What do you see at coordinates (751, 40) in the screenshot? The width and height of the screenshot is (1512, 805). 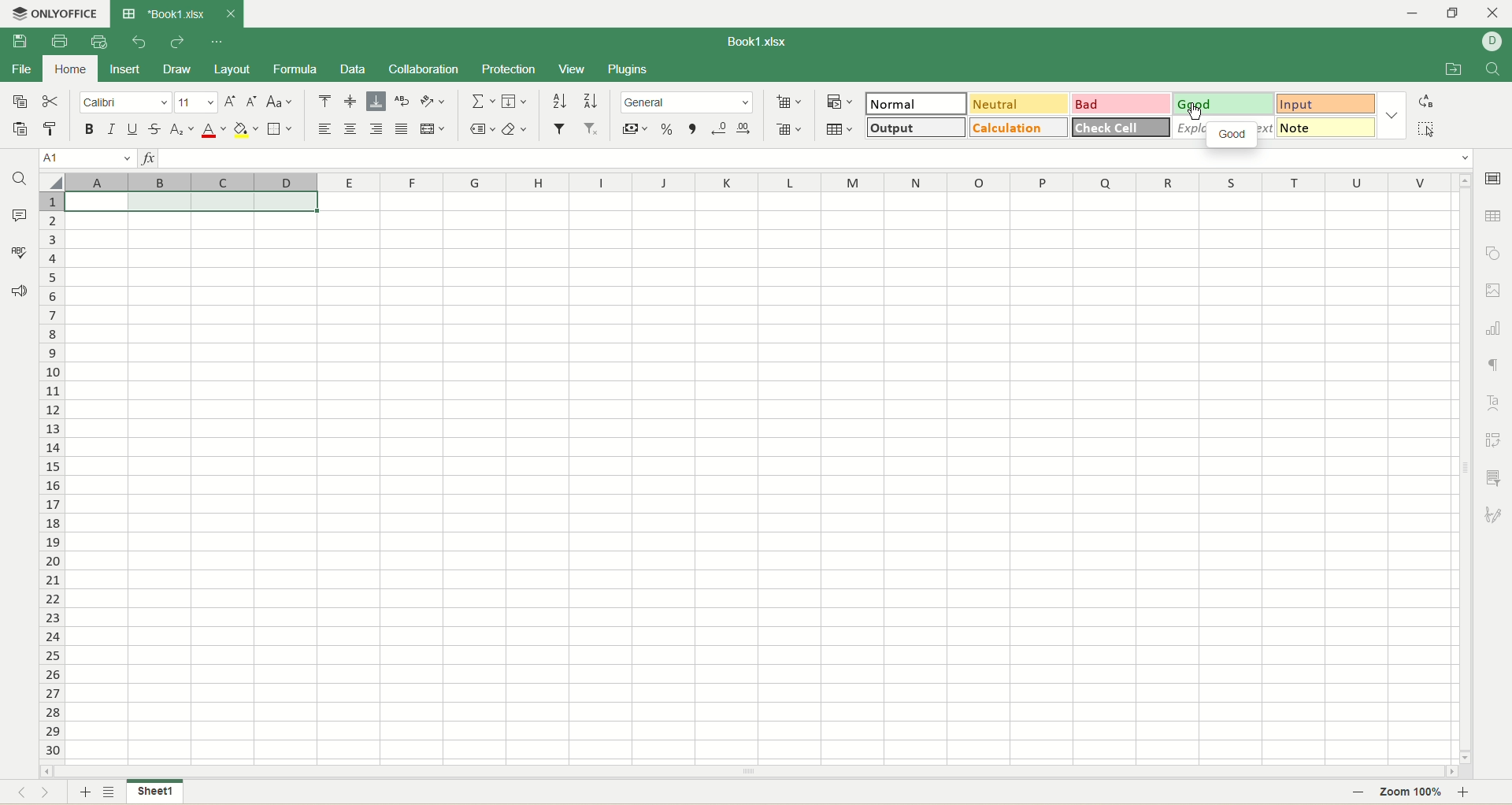 I see `Book1.xlsx` at bounding box center [751, 40].